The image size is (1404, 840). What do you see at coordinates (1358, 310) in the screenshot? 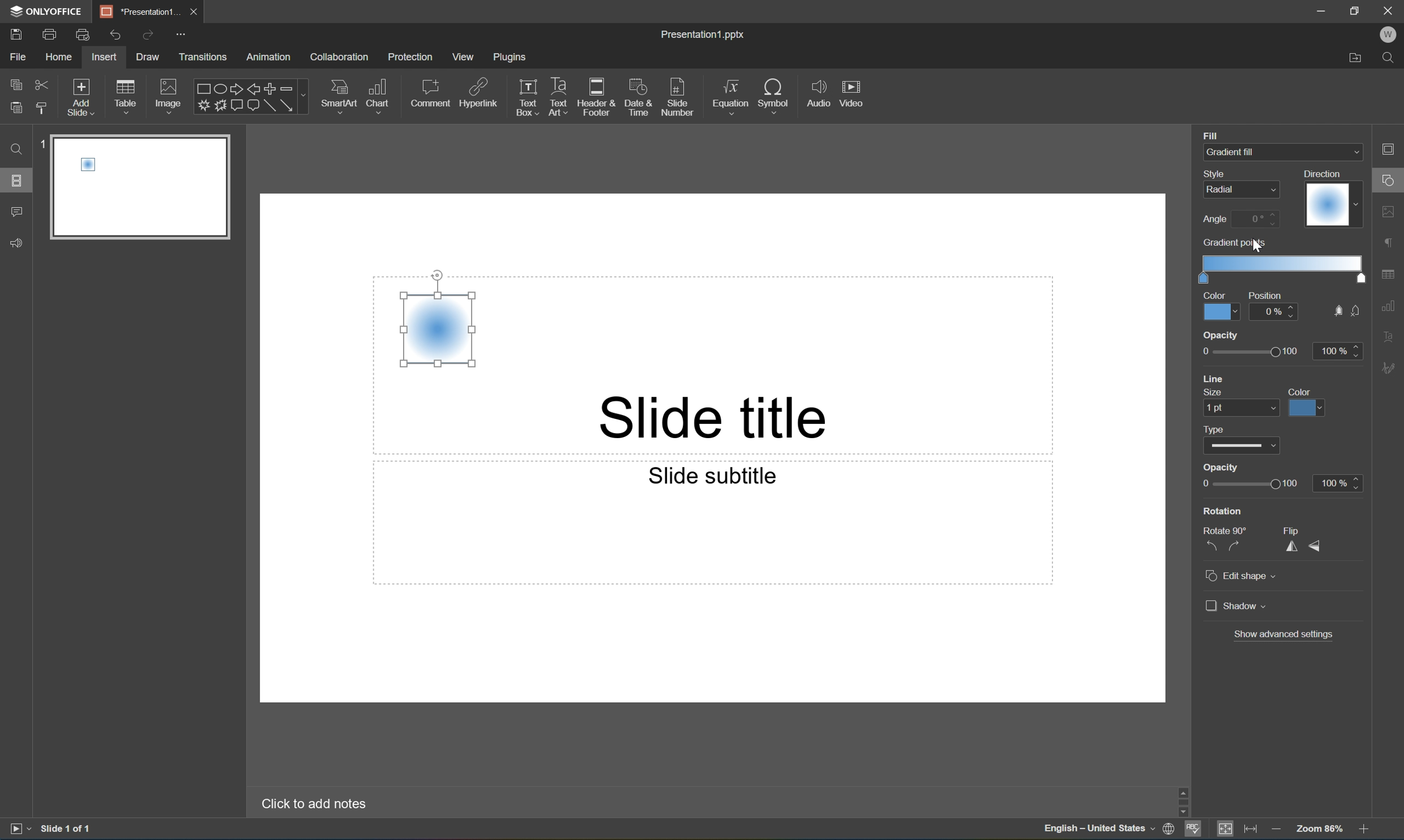
I see `` at bounding box center [1358, 310].